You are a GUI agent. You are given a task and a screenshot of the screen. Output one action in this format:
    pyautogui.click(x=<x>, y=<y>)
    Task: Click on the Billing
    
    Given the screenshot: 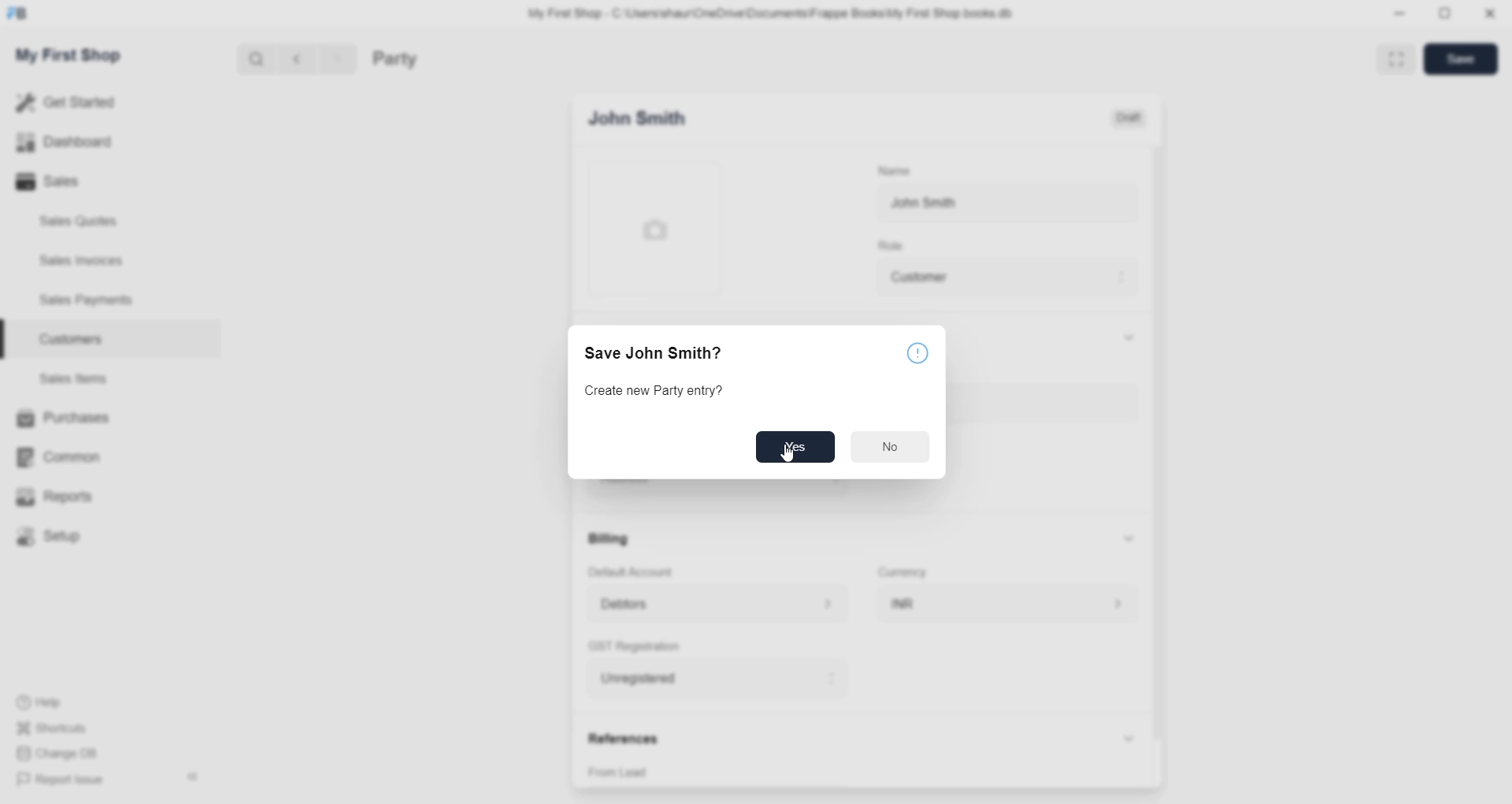 What is the action you would take?
    pyautogui.click(x=614, y=536)
    